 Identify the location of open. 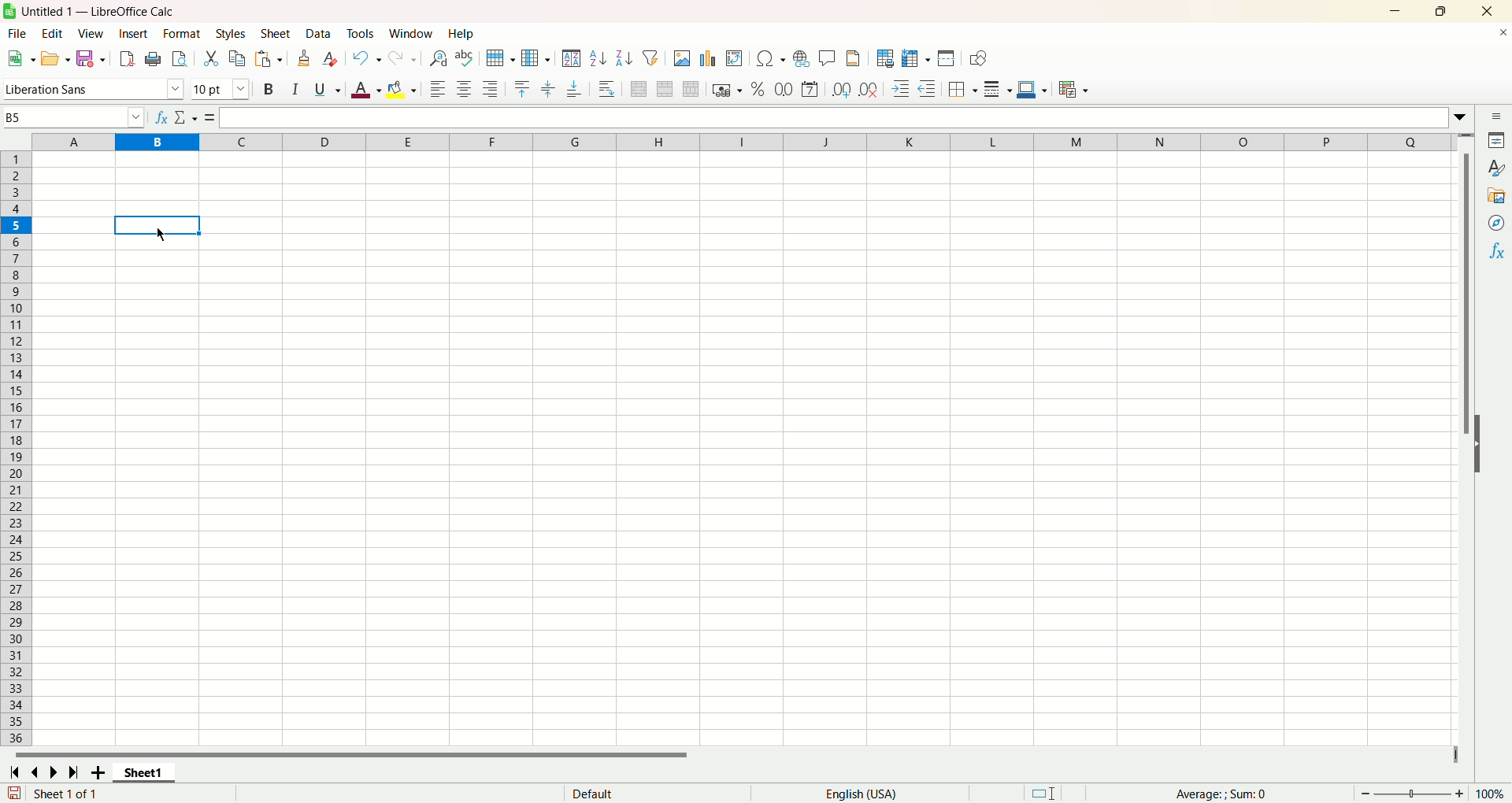
(54, 59).